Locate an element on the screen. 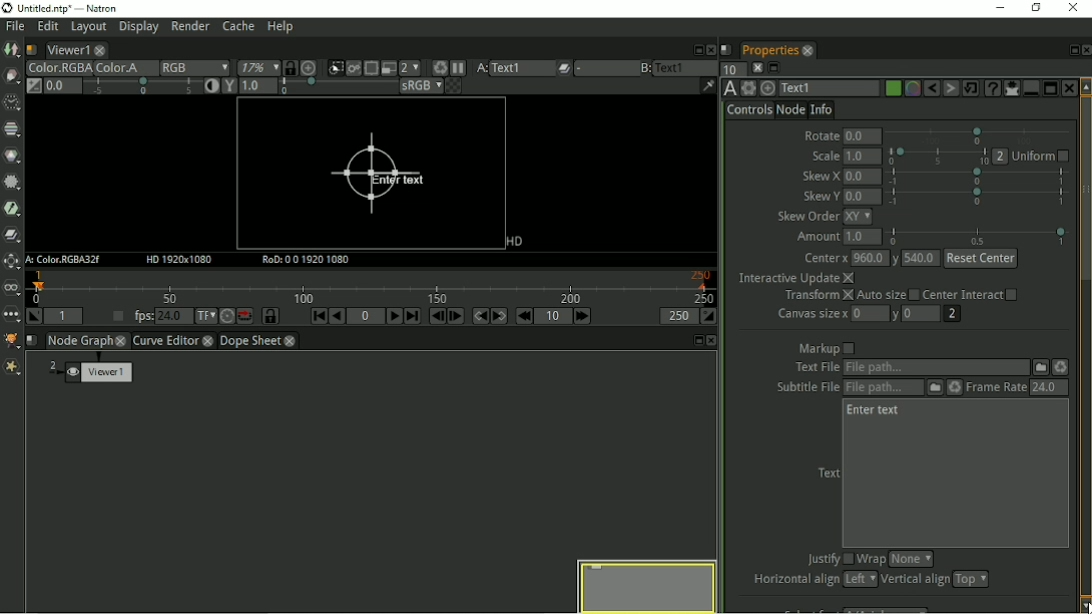 This screenshot has height=614, width=1092. Restore default values is located at coordinates (971, 89).